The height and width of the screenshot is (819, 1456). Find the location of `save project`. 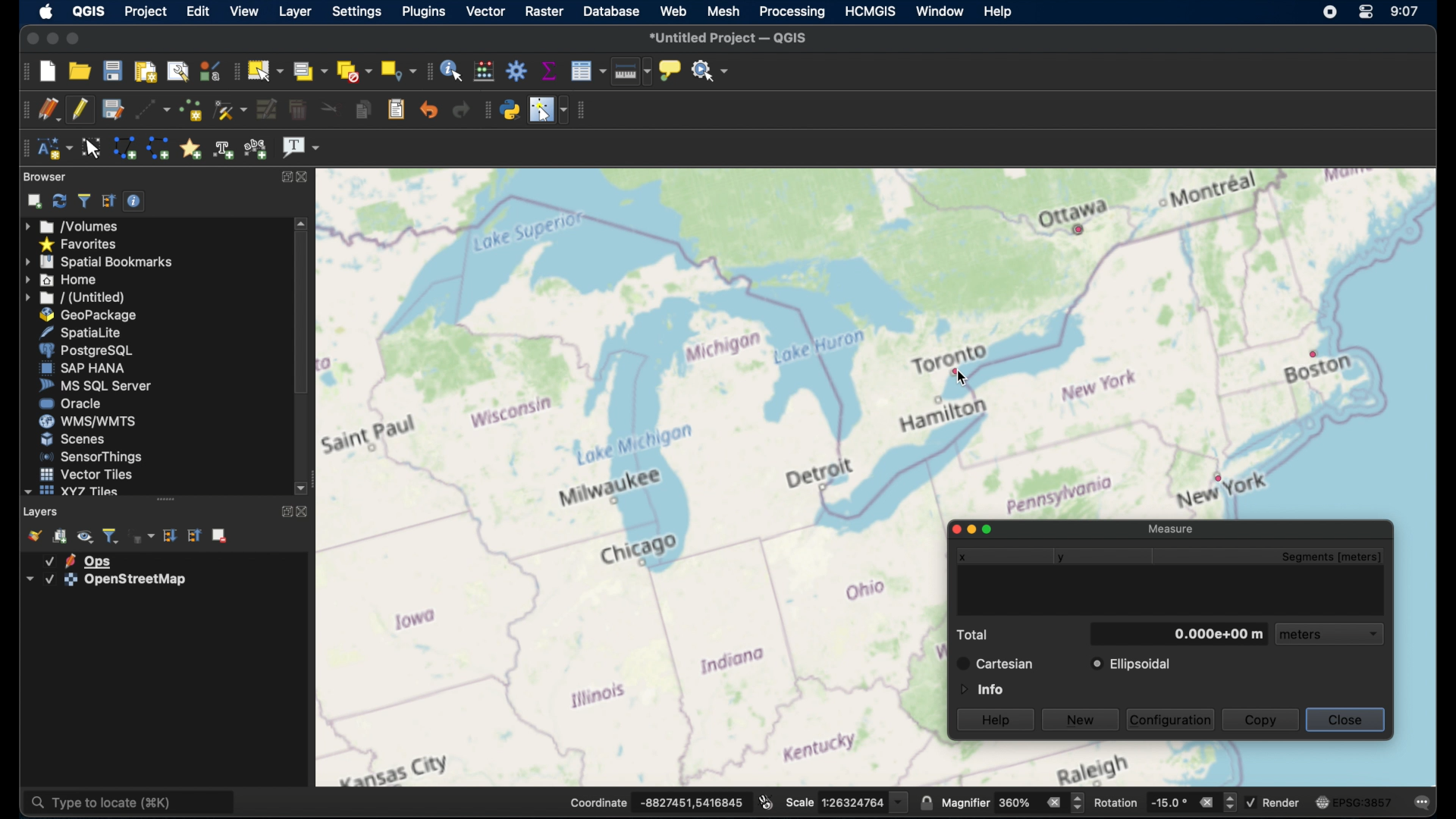

save project is located at coordinates (113, 70).